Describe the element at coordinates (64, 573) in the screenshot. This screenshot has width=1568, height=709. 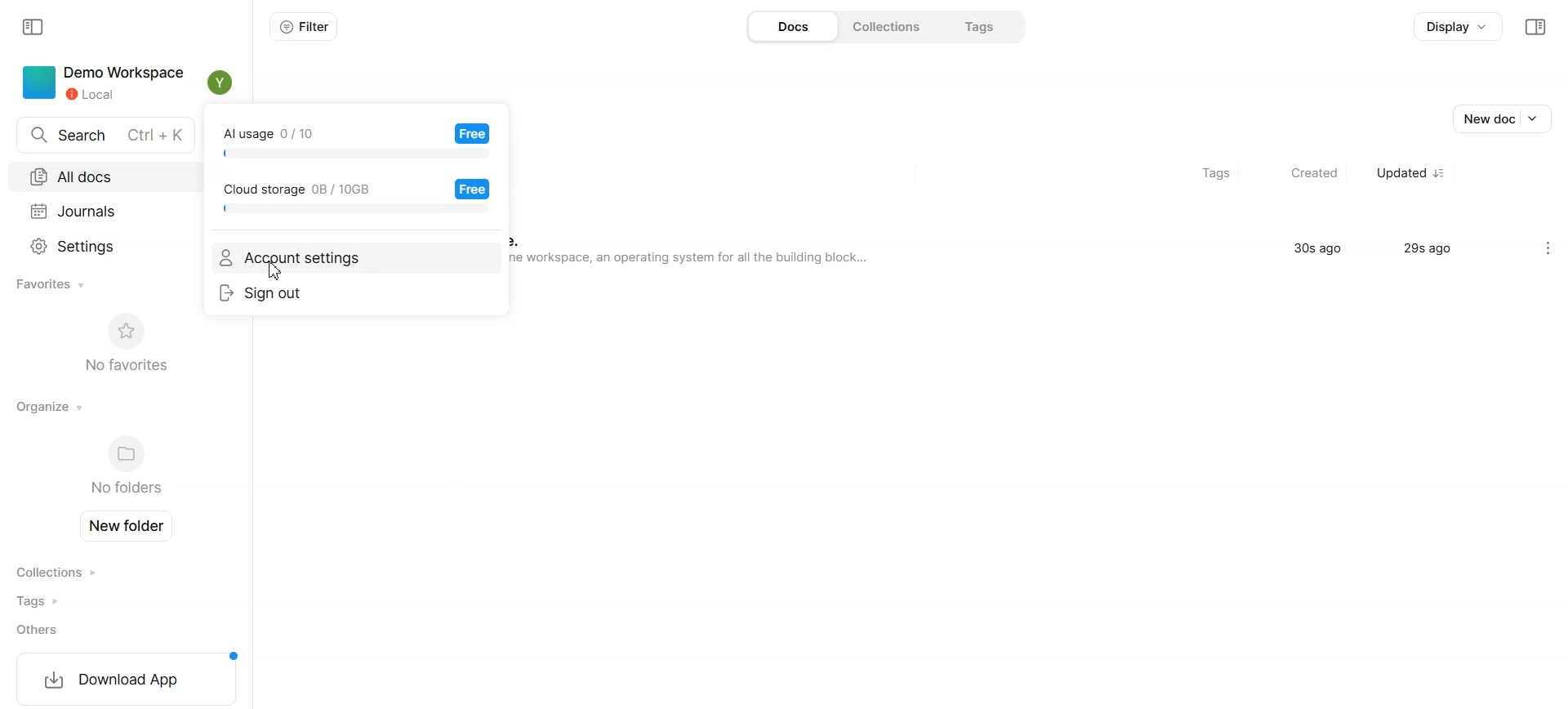
I see `Collections` at that location.